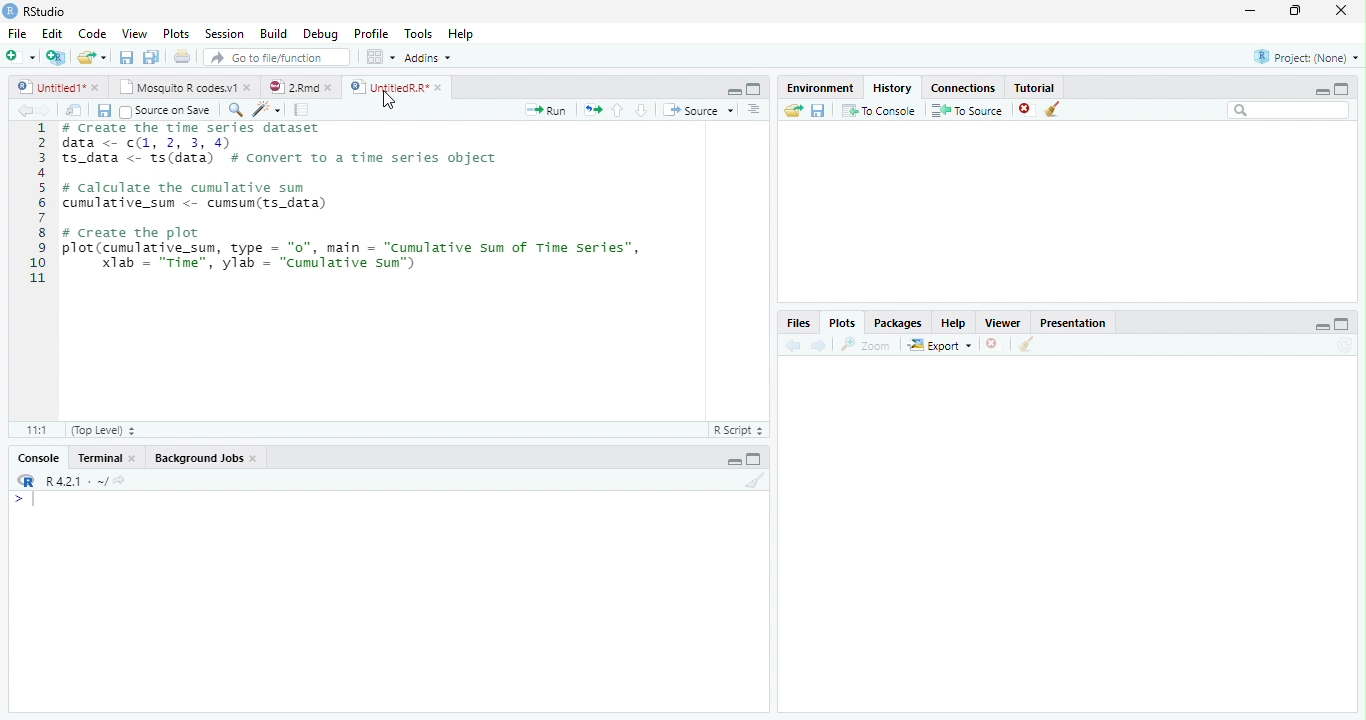 The image size is (1366, 720). Describe the element at coordinates (20, 56) in the screenshot. I see `New file` at that location.